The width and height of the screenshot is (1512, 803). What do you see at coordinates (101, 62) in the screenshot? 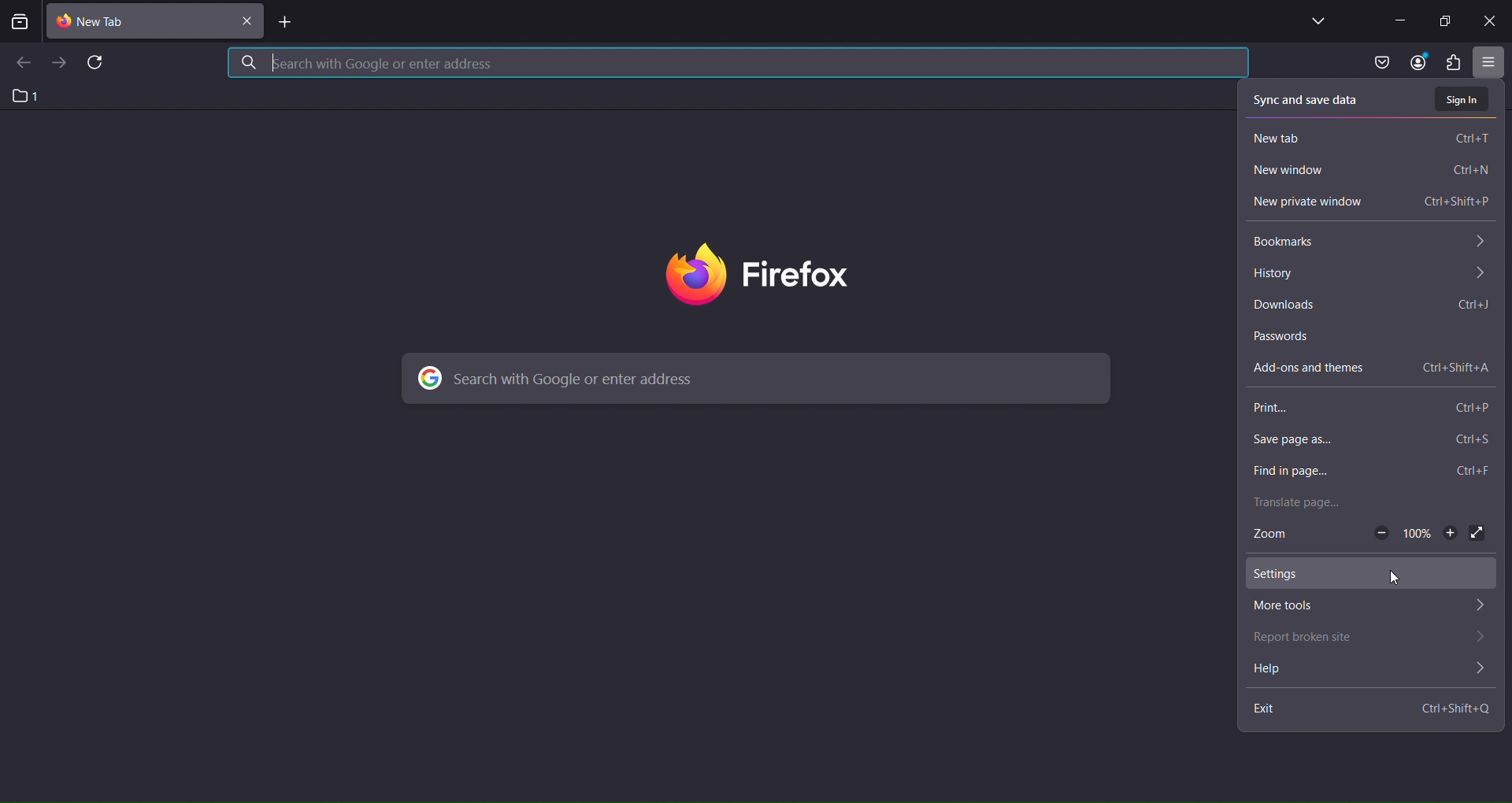
I see `reload current page` at bounding box center [101, 62].